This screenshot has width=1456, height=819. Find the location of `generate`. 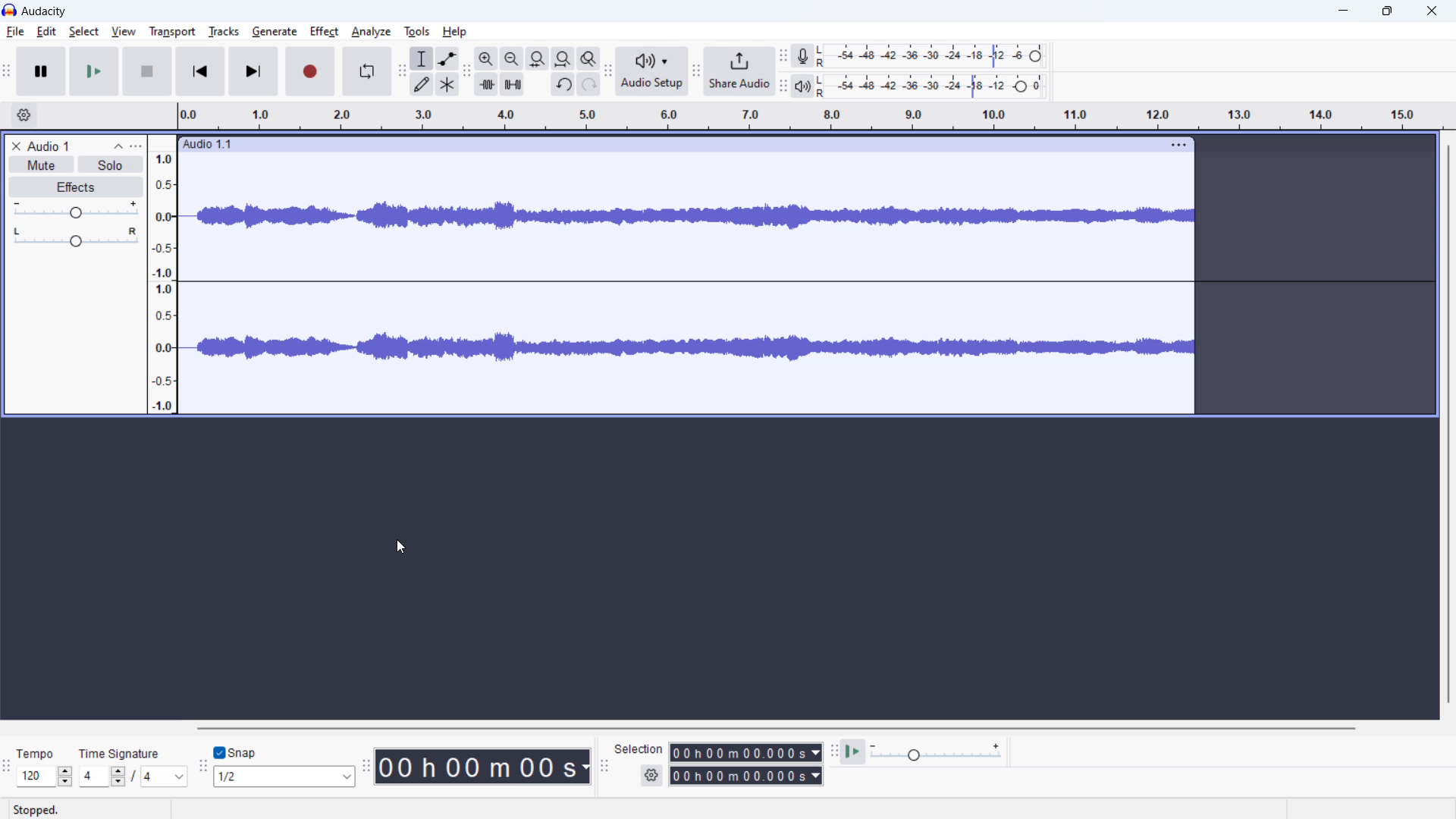

generate is located at coordinates (275, 32).